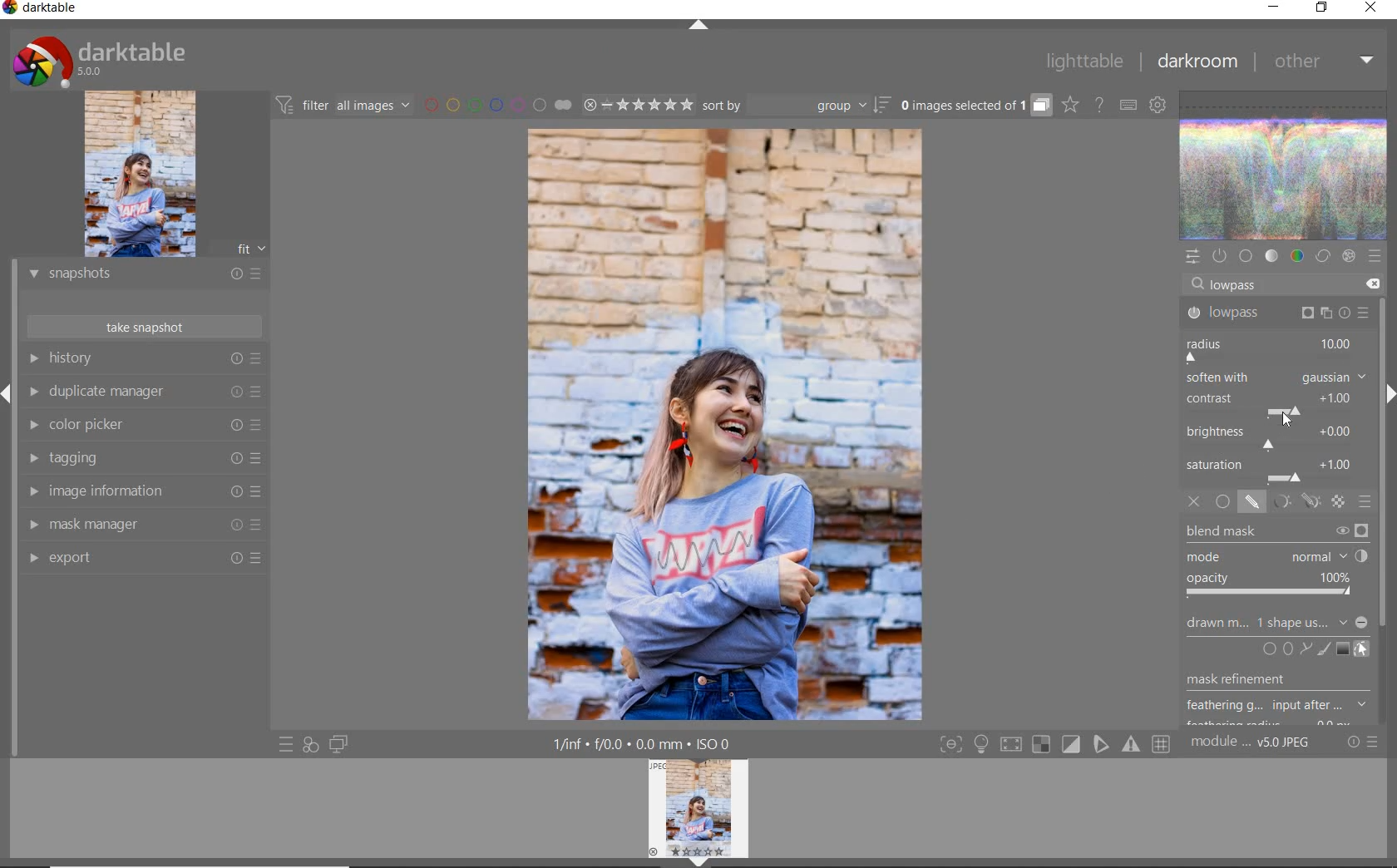 The width and height of the screenshot is (1397, 868). I want to click on scrollbar, so click(1383, 447).